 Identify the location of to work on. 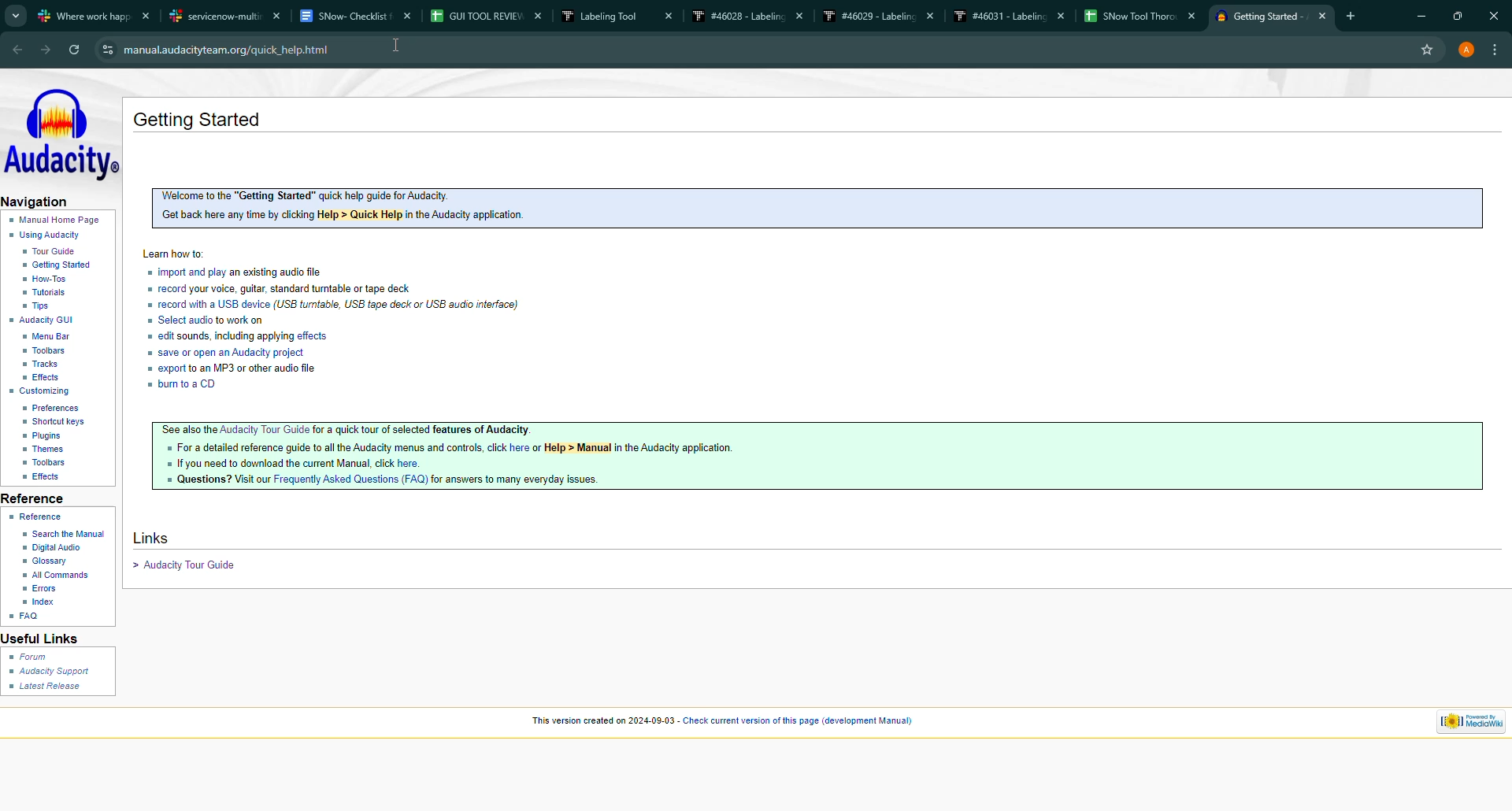
(244, 321).